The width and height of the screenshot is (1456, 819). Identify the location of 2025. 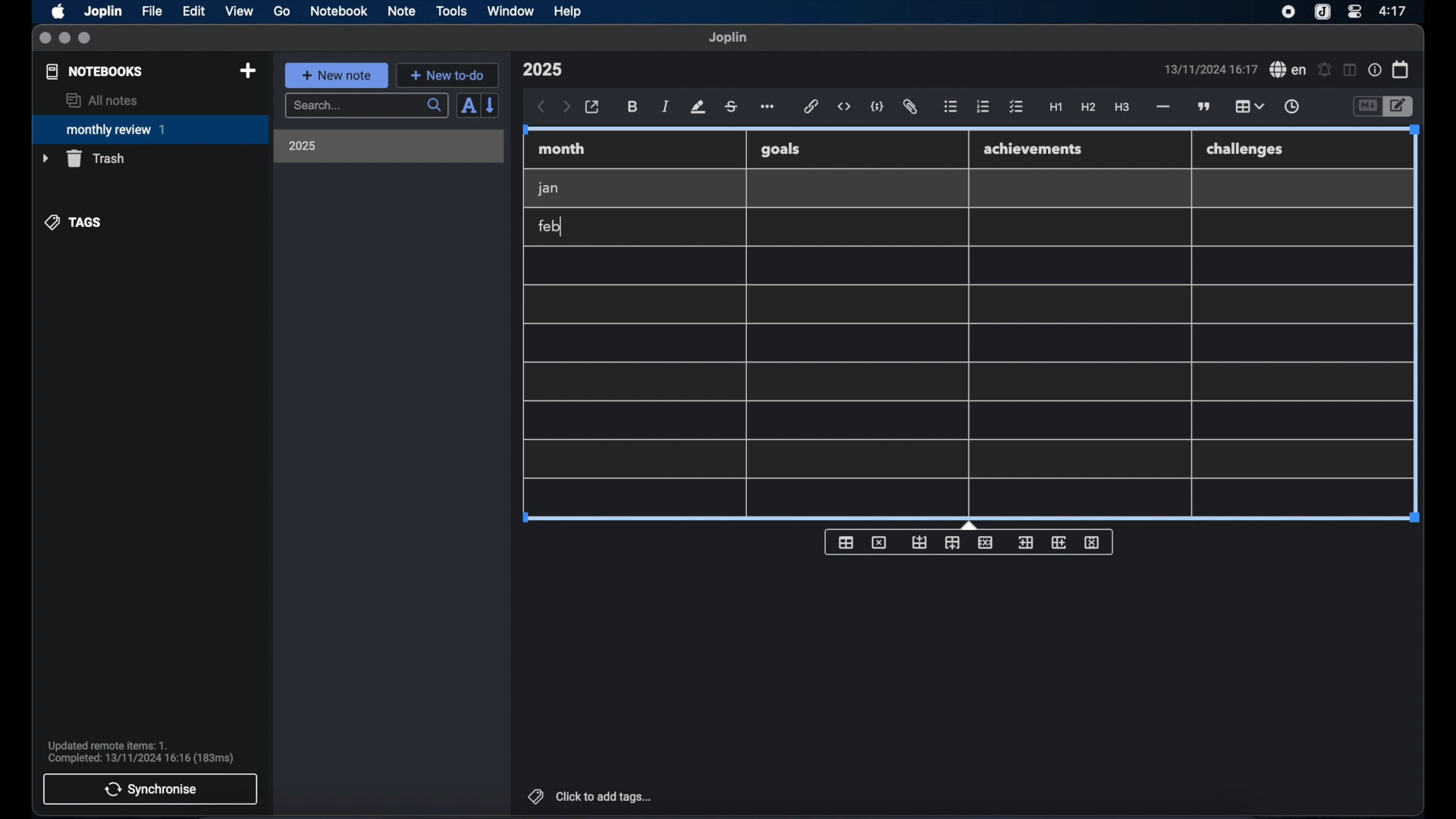
(303, 146).